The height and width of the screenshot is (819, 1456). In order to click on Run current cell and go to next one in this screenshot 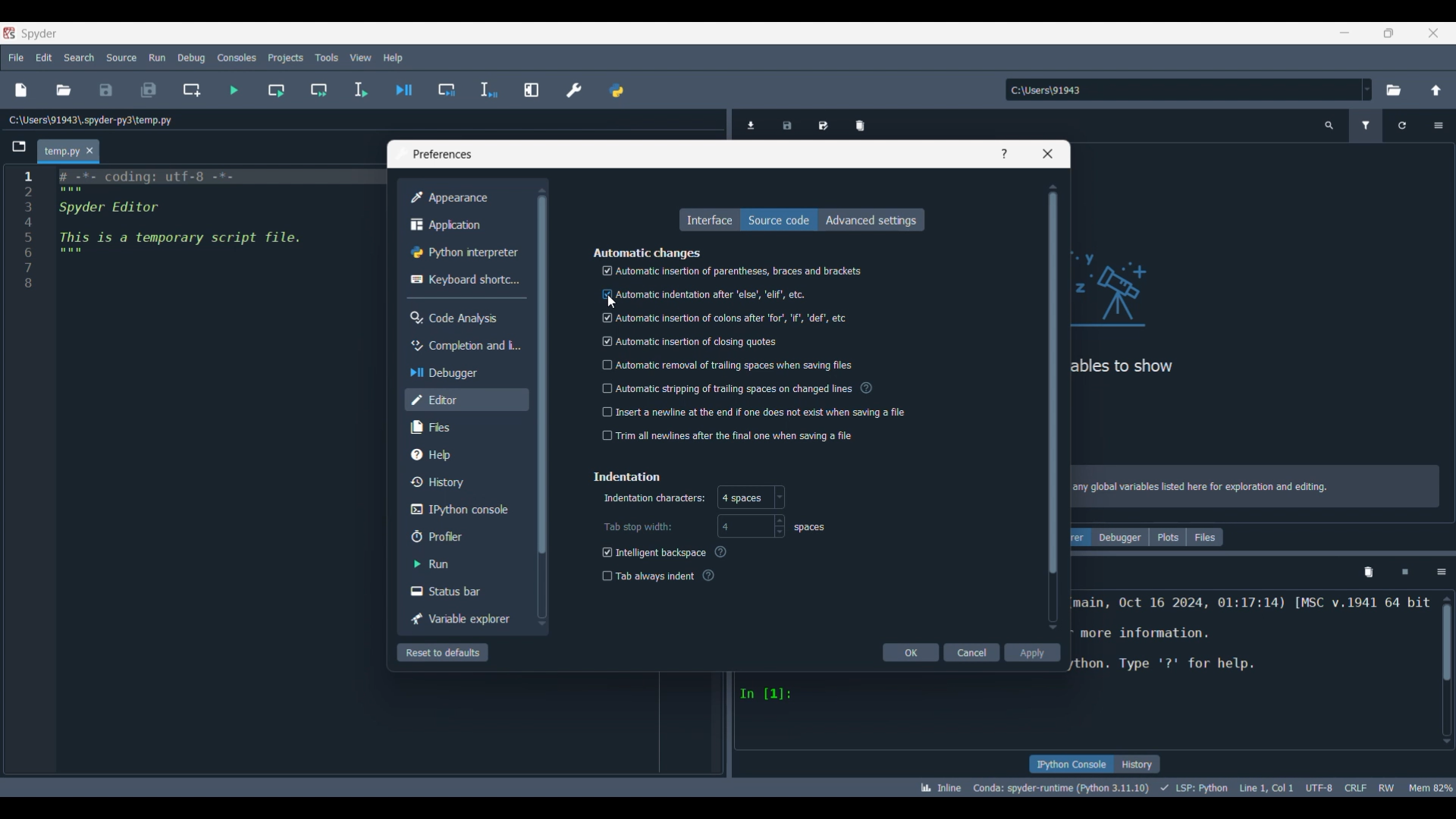, I will do `click(318, 89)`.